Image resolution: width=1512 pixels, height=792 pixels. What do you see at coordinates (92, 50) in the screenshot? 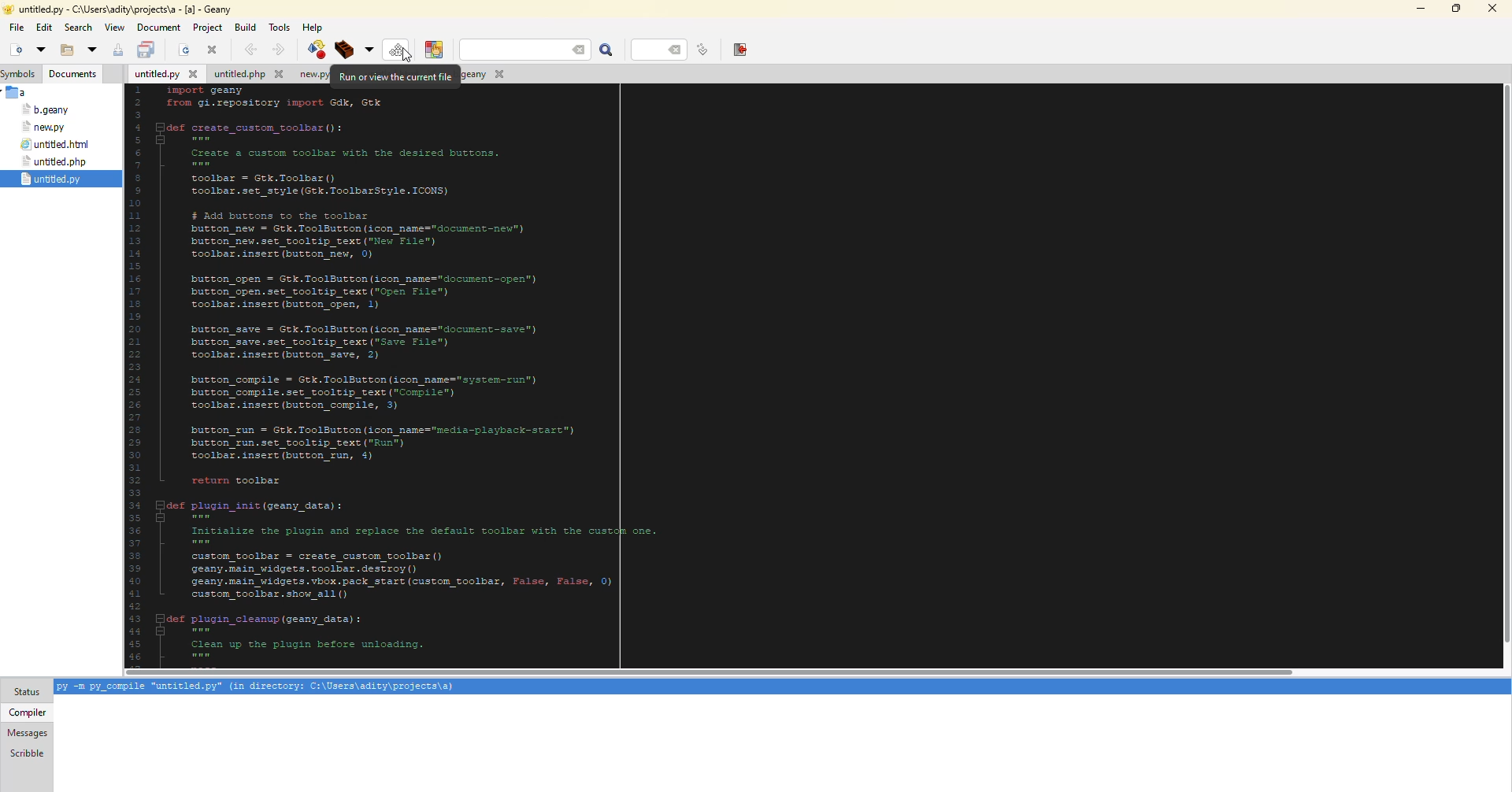
I see `open` at bounding box center [92, 50].